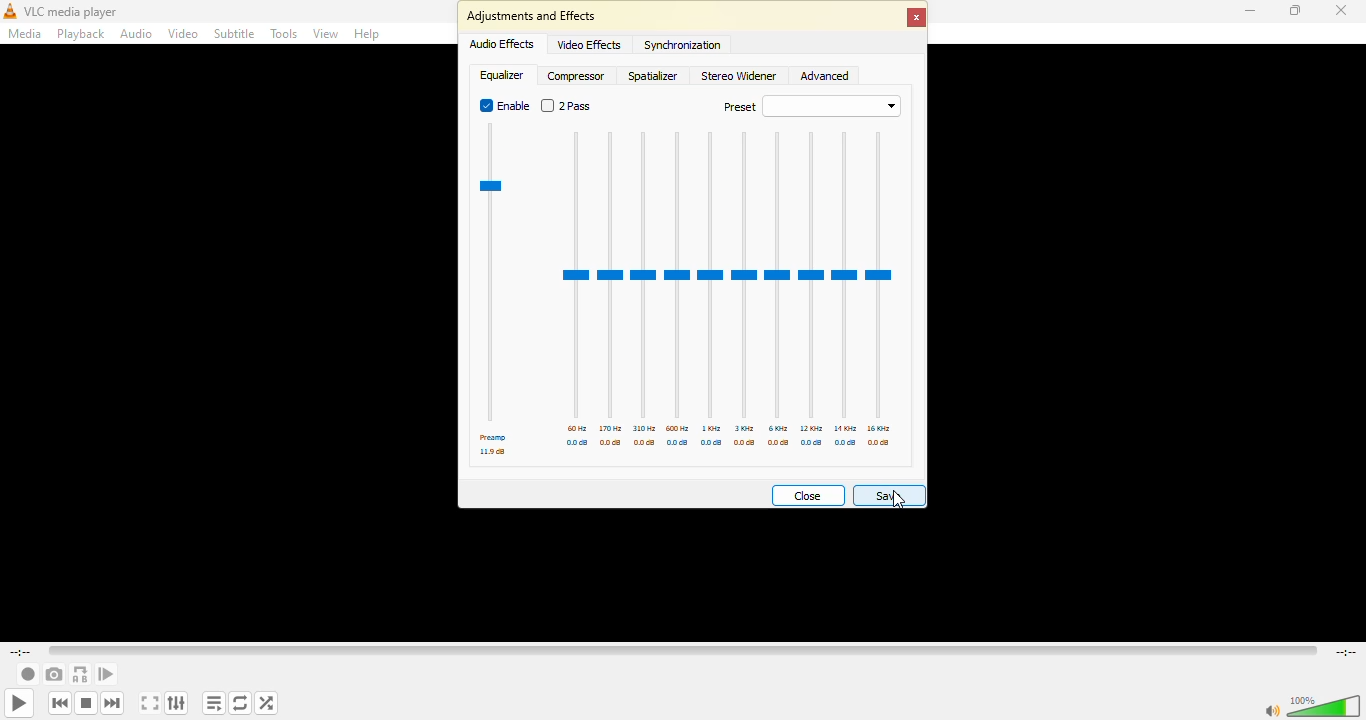 The image size is (1366, 720). What do you see at coordinates (812, 443) in the screenshot?
I see `db` at bounding box center [812, 443].